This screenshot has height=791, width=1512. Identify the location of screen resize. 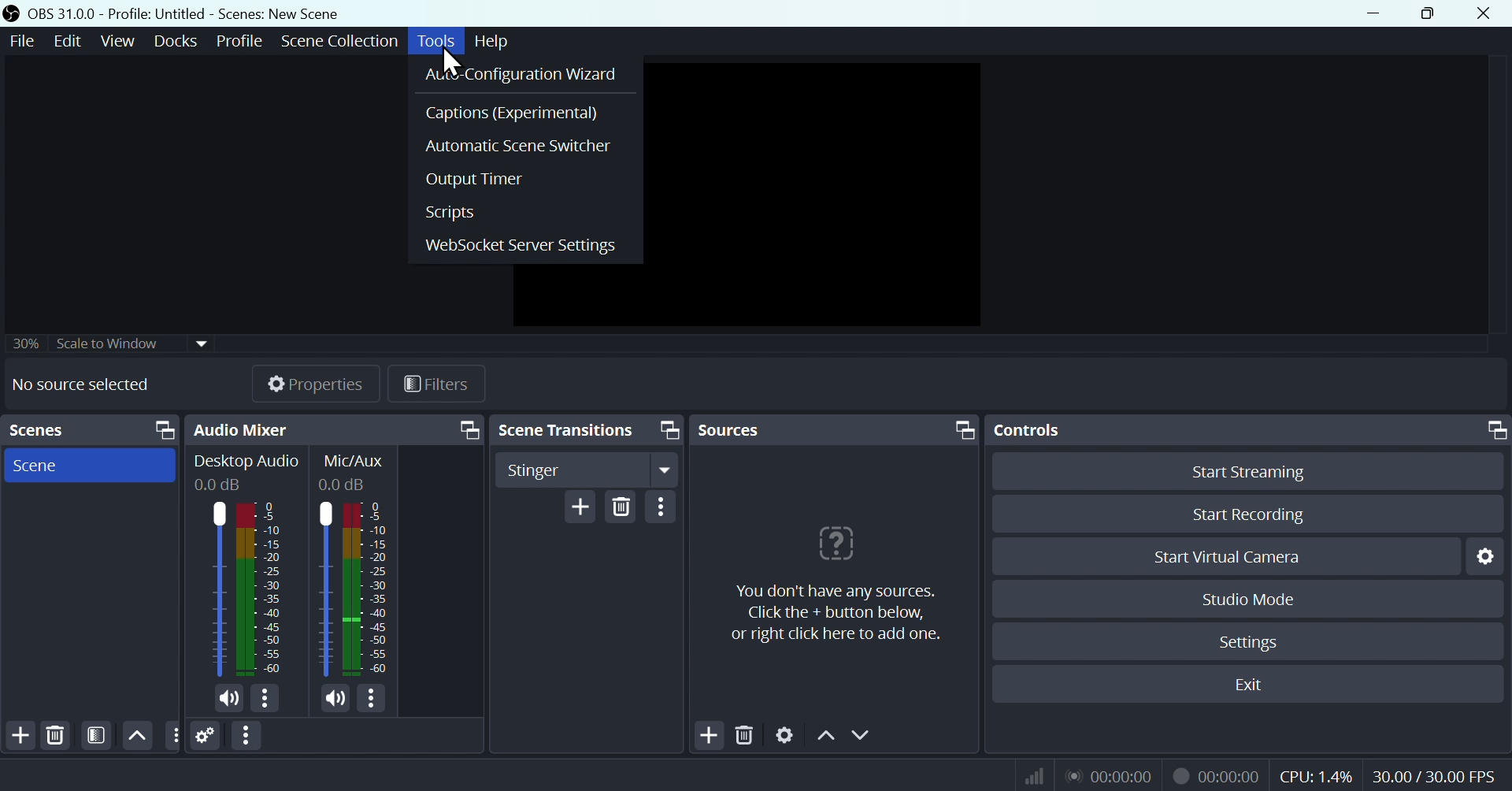
(160, 430).